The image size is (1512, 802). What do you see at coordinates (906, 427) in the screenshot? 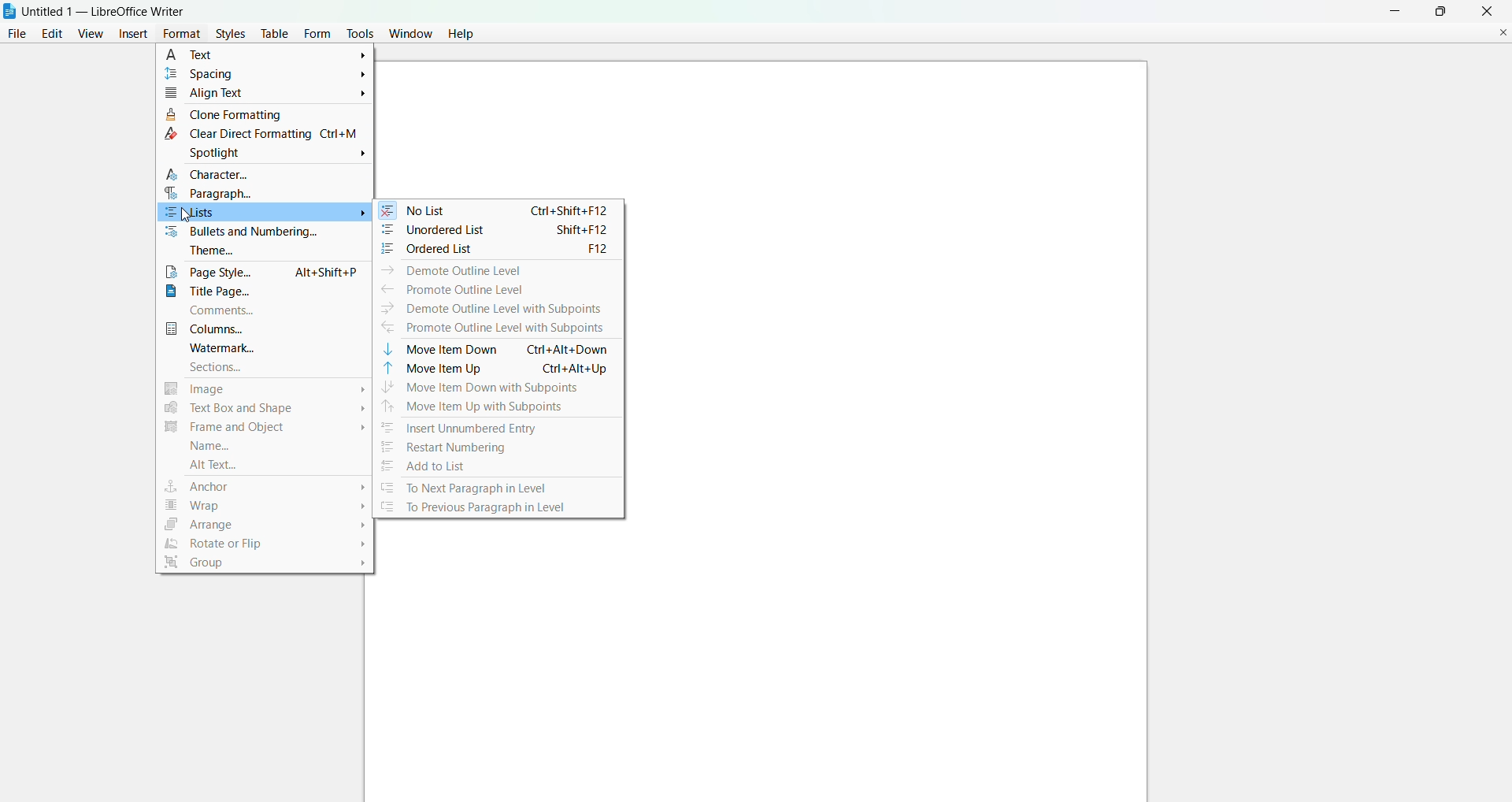
I see `canvas` at bounding box center [906, 427].